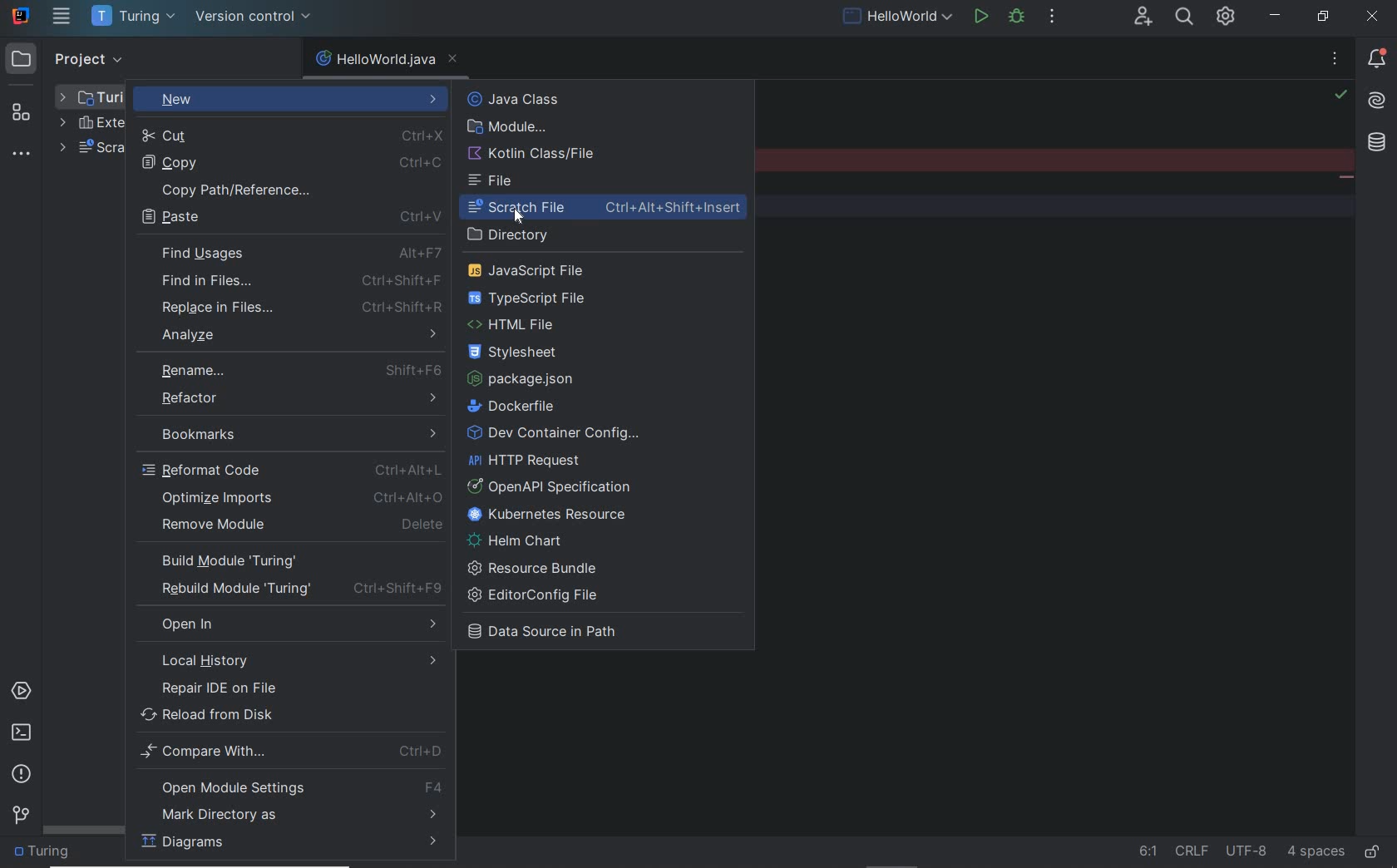 This screenshot has height=868, width=1397. I want to click on structure, so click(23, 106).